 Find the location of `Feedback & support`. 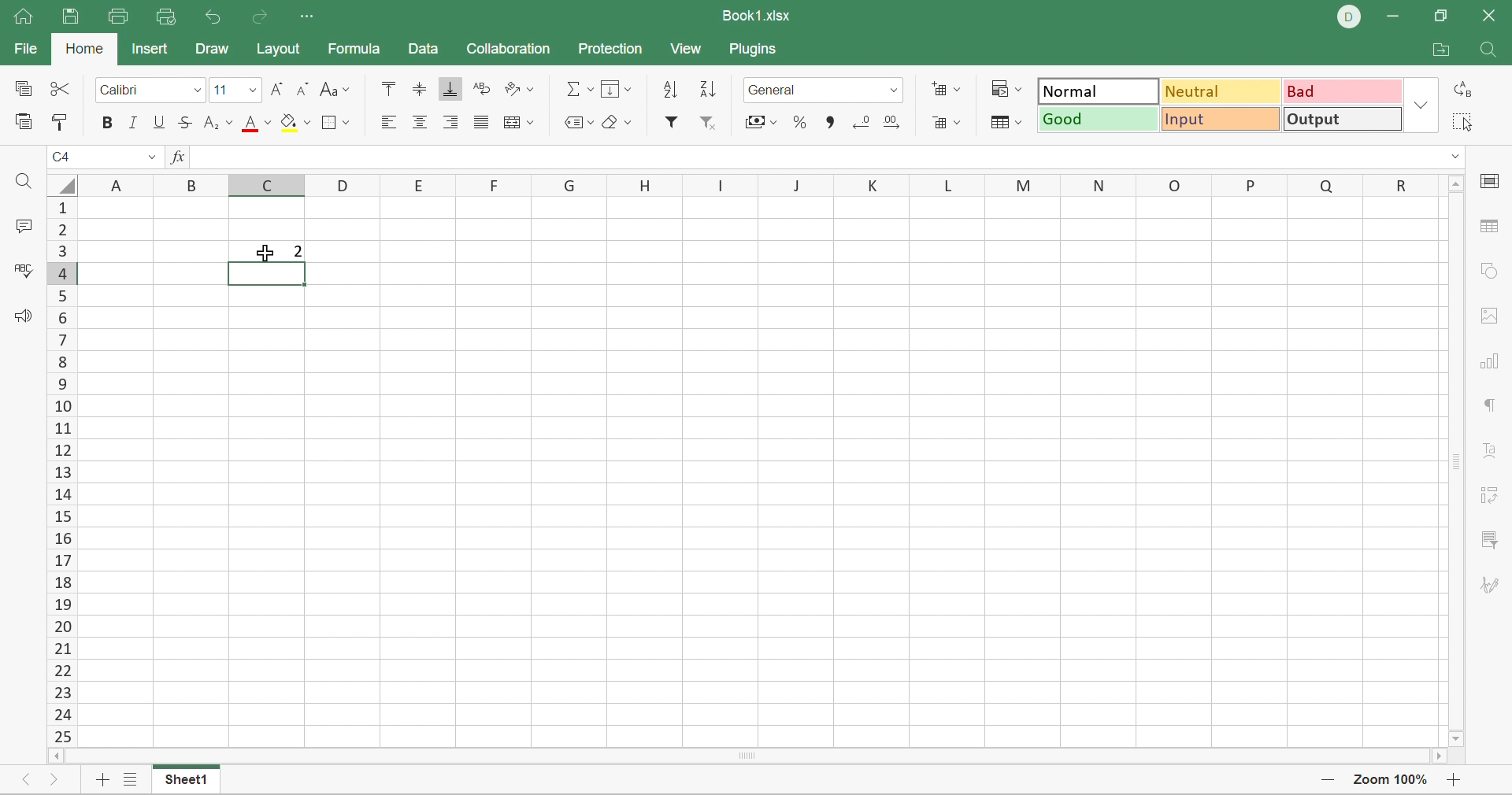

Feedback & support is located at coordinates (27, 317).